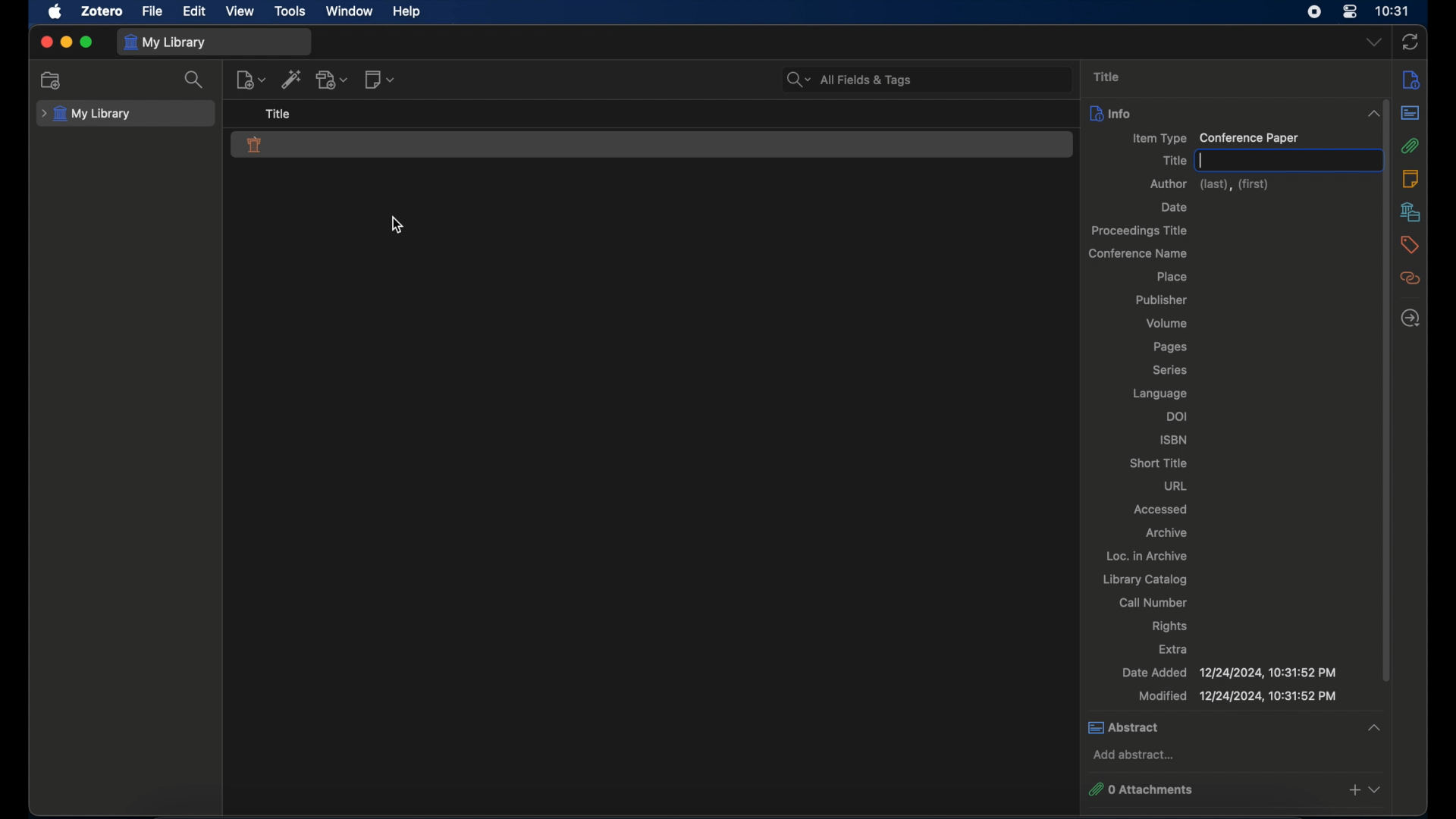 The height and width of the screenshot is (819, 1456). Describe the element at coordinates (1379, 389) in the screenshot. I see `scroll box` at that location.